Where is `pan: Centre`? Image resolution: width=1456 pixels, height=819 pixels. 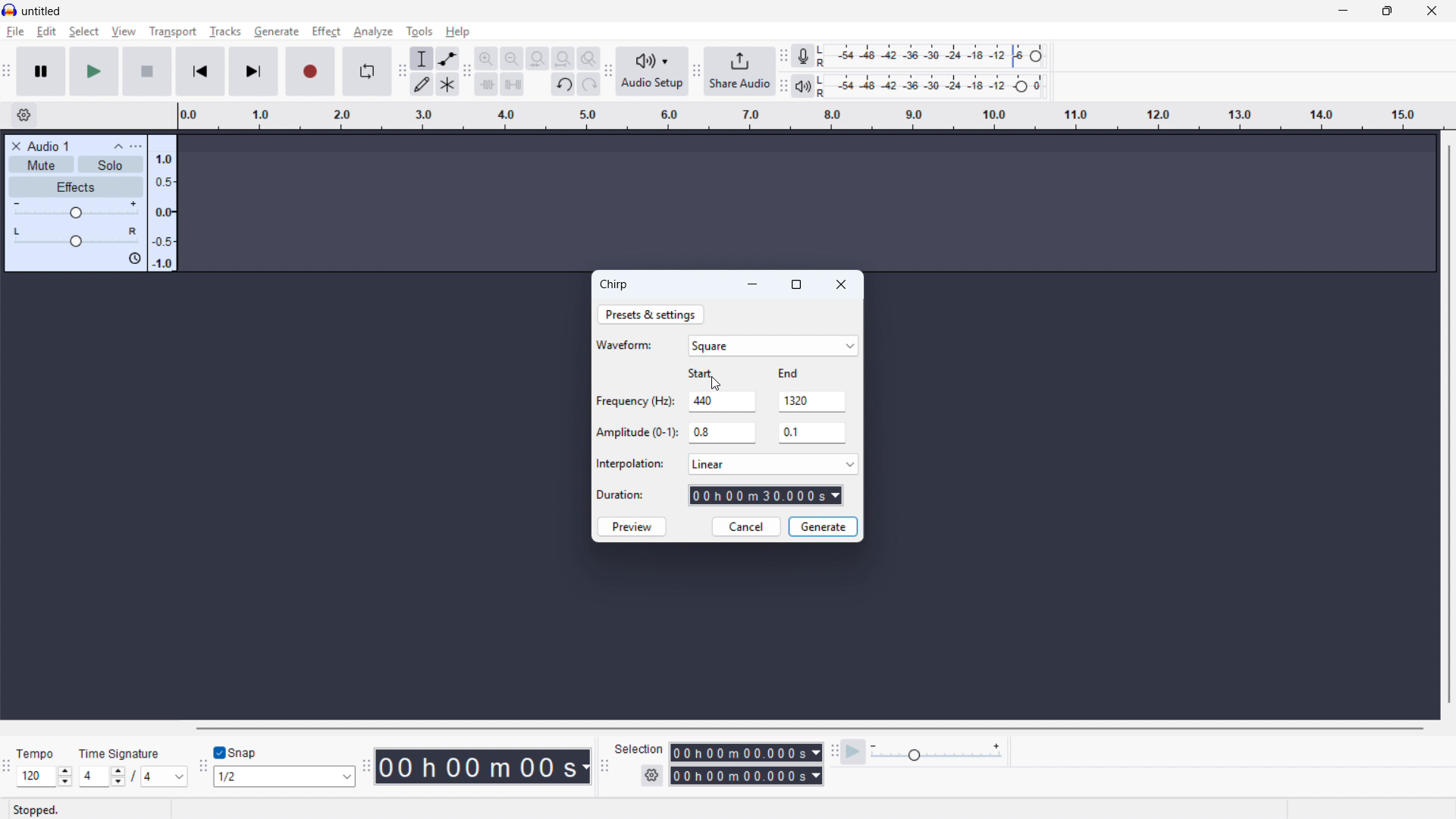
pan: Centre is located at coordinates (78, 237).